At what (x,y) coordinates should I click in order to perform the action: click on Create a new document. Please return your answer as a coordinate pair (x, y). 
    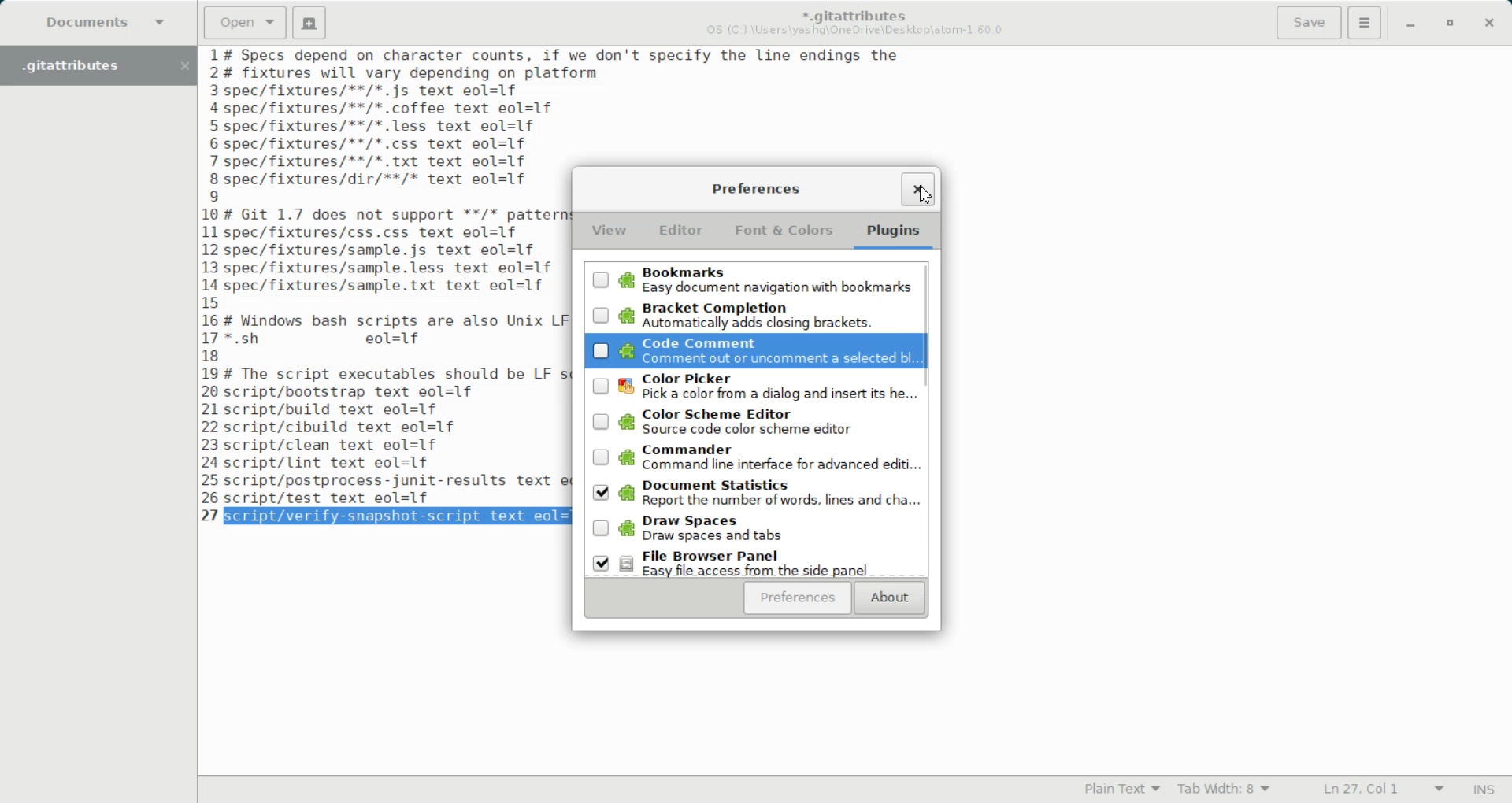
    Looking at the image, I should click on (310, 23).